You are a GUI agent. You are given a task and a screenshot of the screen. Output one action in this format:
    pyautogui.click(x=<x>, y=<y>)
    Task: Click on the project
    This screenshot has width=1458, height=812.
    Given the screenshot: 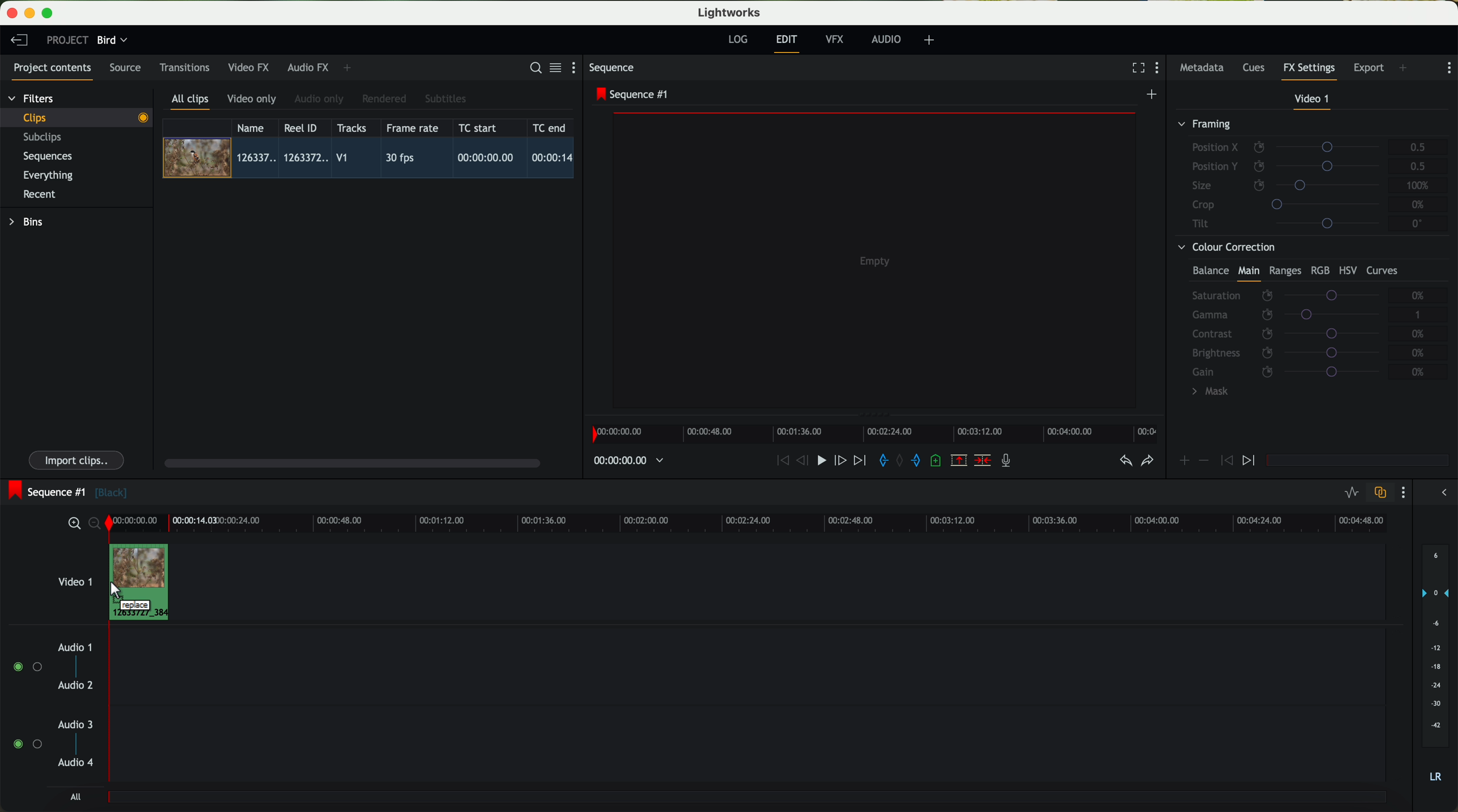 What is the action you would take?
    pyautogui.click(x=67, y=40)
    